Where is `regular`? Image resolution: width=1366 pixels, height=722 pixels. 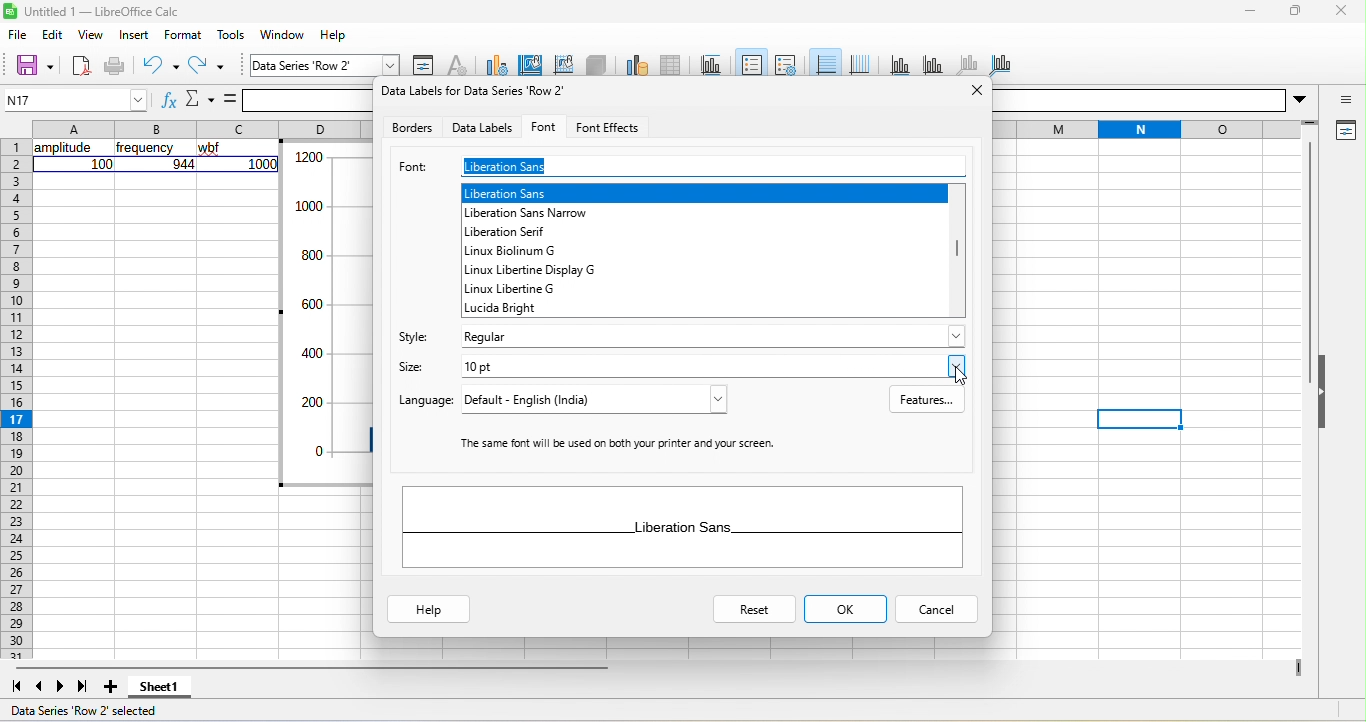 regular is located at coordinates (709, 333).